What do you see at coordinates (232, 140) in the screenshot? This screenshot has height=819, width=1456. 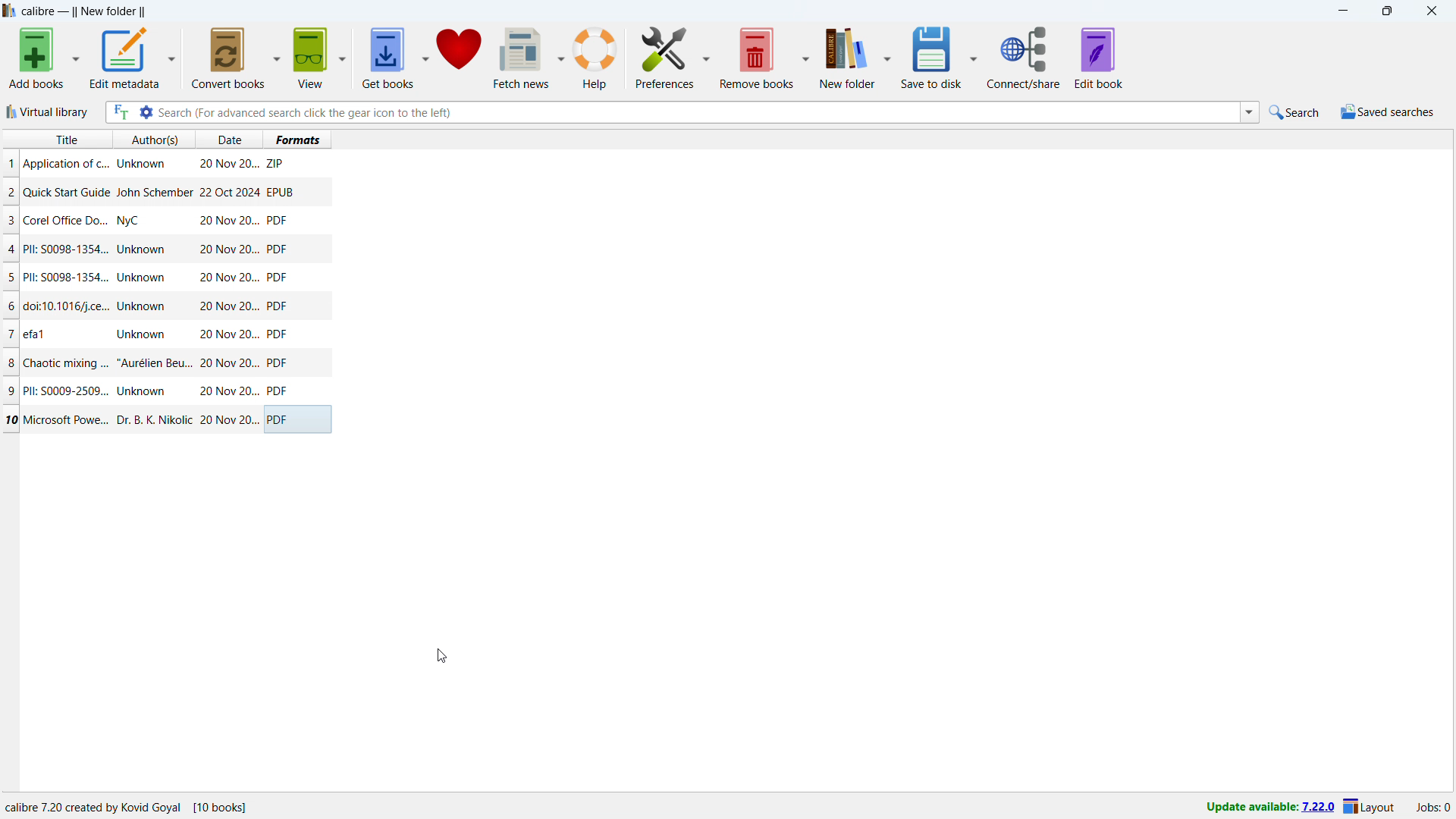 I see `Date` at bounding box center [232, 140].